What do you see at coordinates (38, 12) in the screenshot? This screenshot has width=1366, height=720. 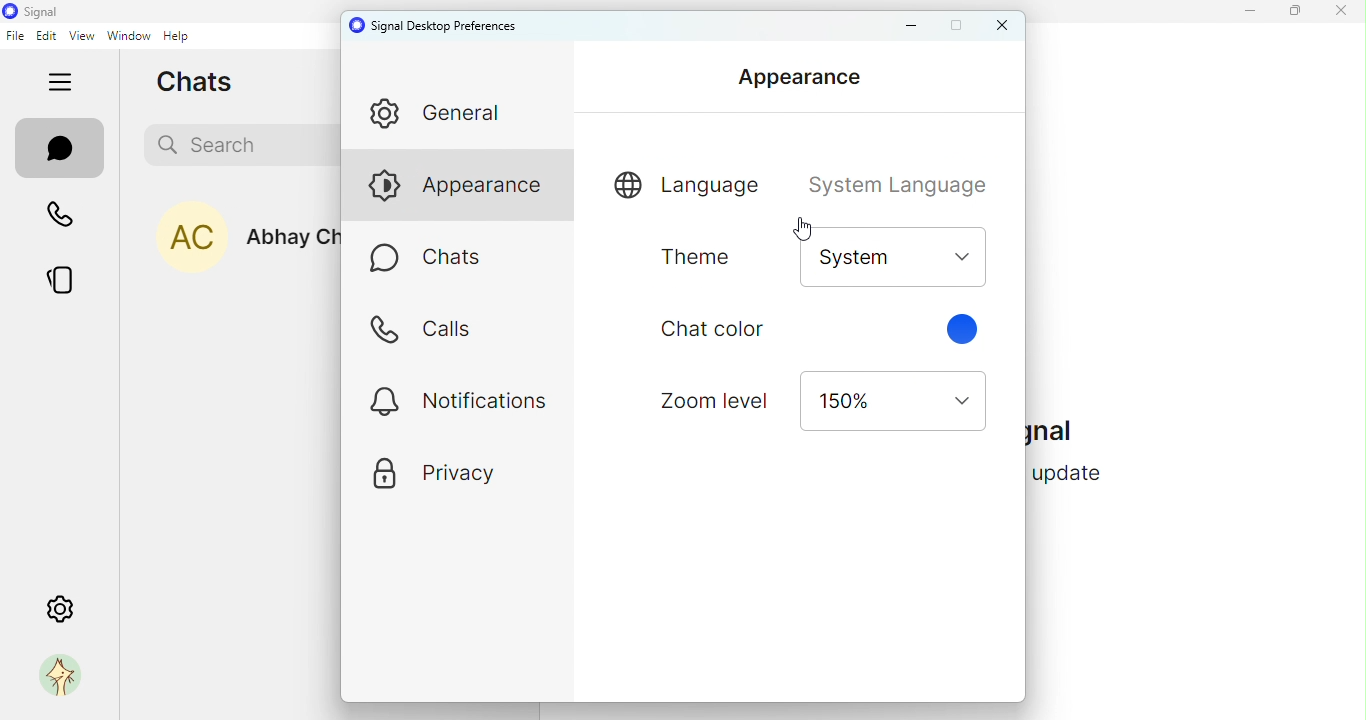 I see `icon` at bounding box center [38, 12].